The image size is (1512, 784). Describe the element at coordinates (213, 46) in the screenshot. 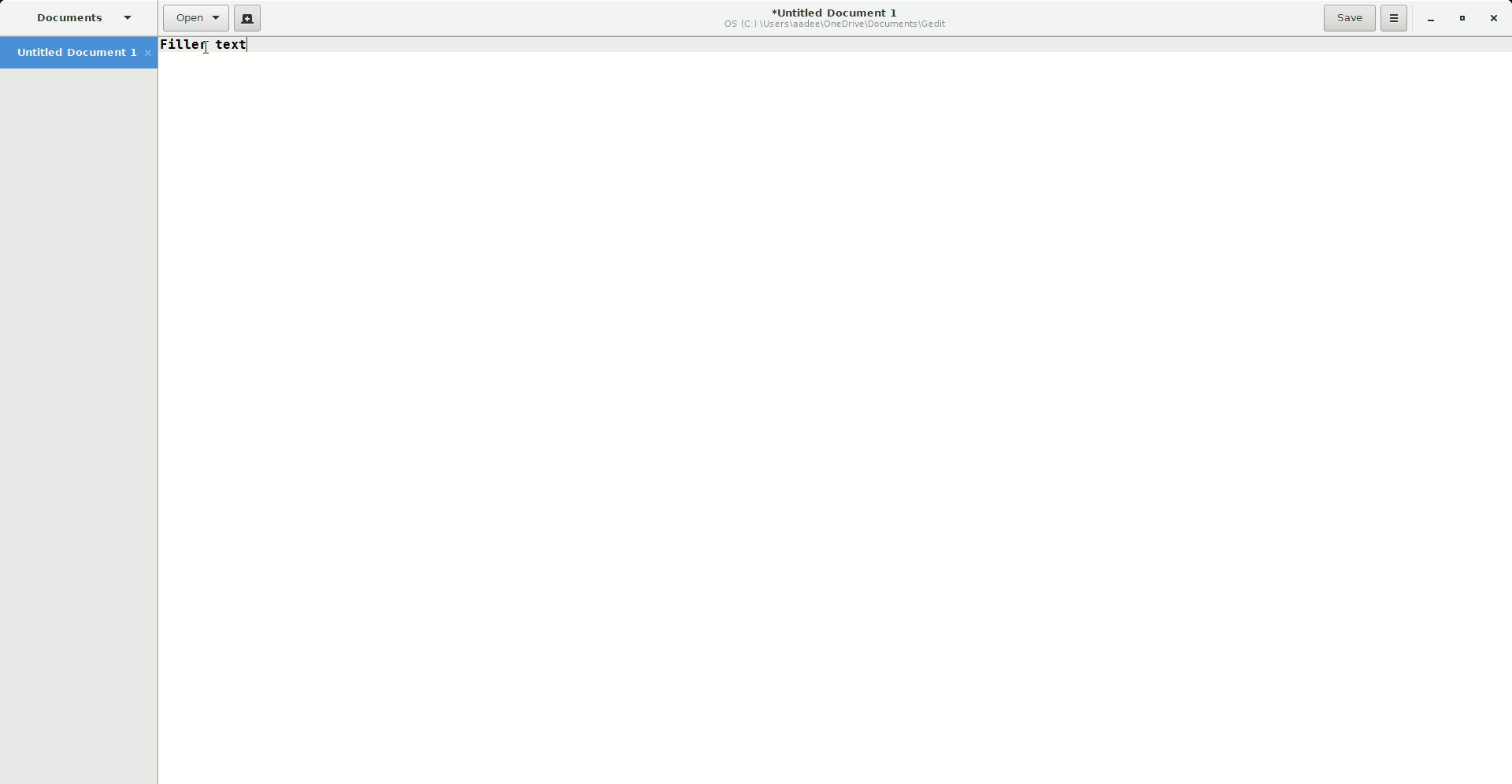

I see `Filler text` at that location.